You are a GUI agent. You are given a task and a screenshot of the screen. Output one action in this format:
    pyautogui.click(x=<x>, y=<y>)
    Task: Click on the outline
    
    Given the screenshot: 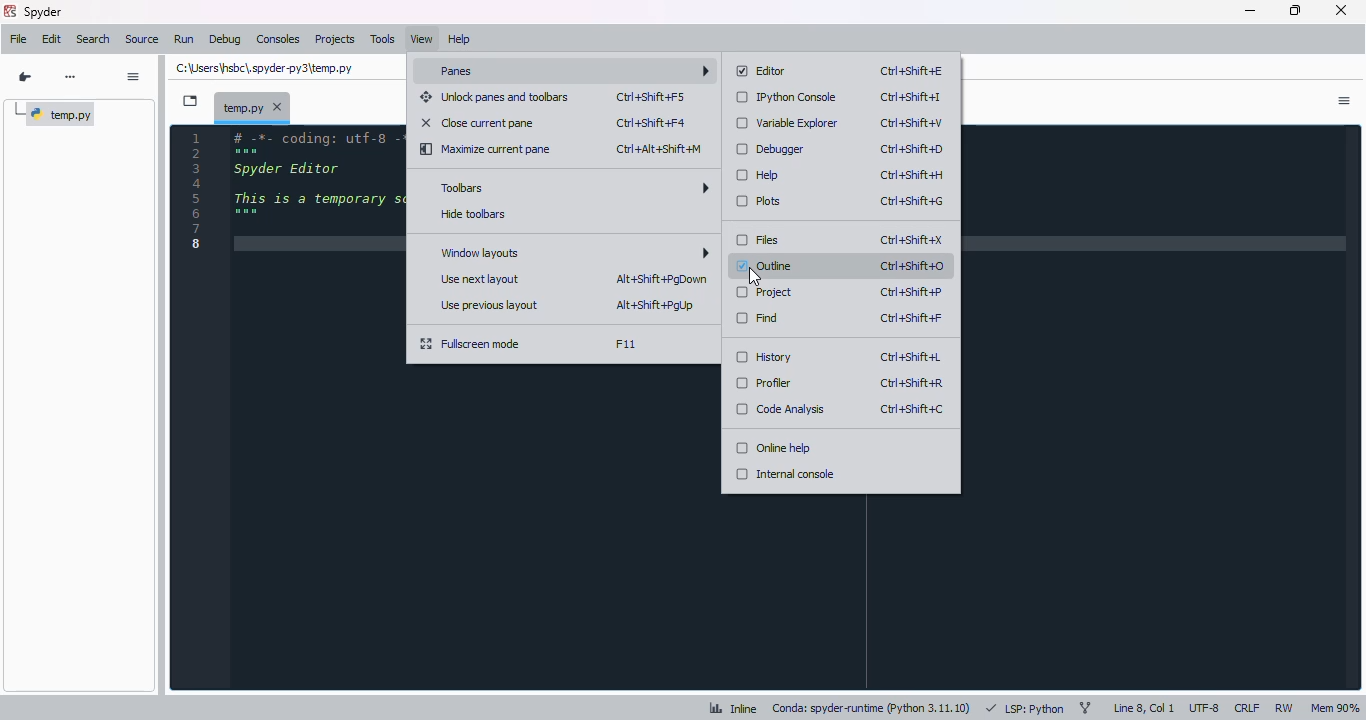 What is the action you would take?
    pyautogui.click(x=768, y=267)
    